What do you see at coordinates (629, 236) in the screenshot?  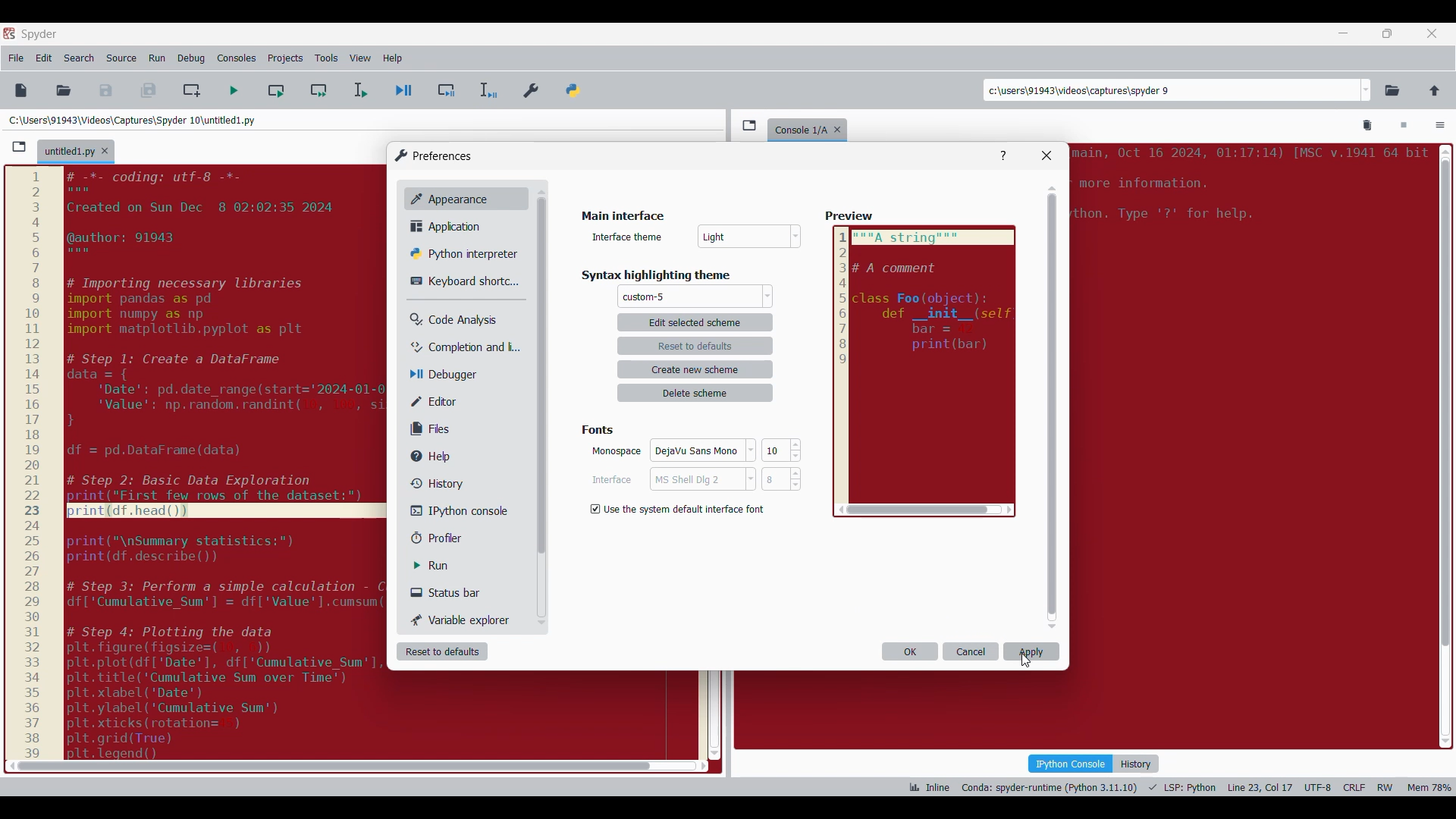 I see `Indicates text box for scheme name` at bounding box center [629, 236].